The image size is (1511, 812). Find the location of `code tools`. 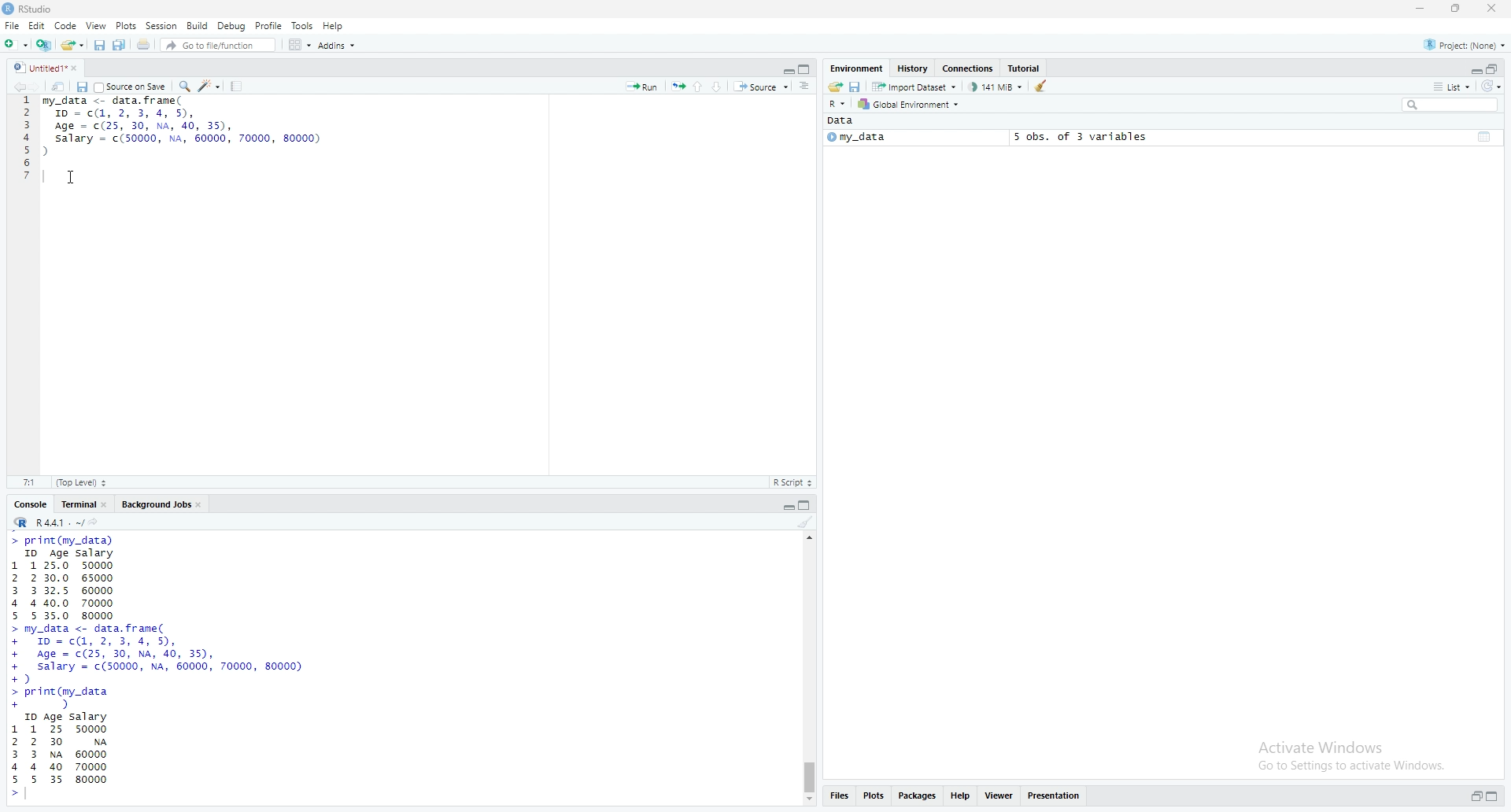

code tools is located at coordinates (209, 85).